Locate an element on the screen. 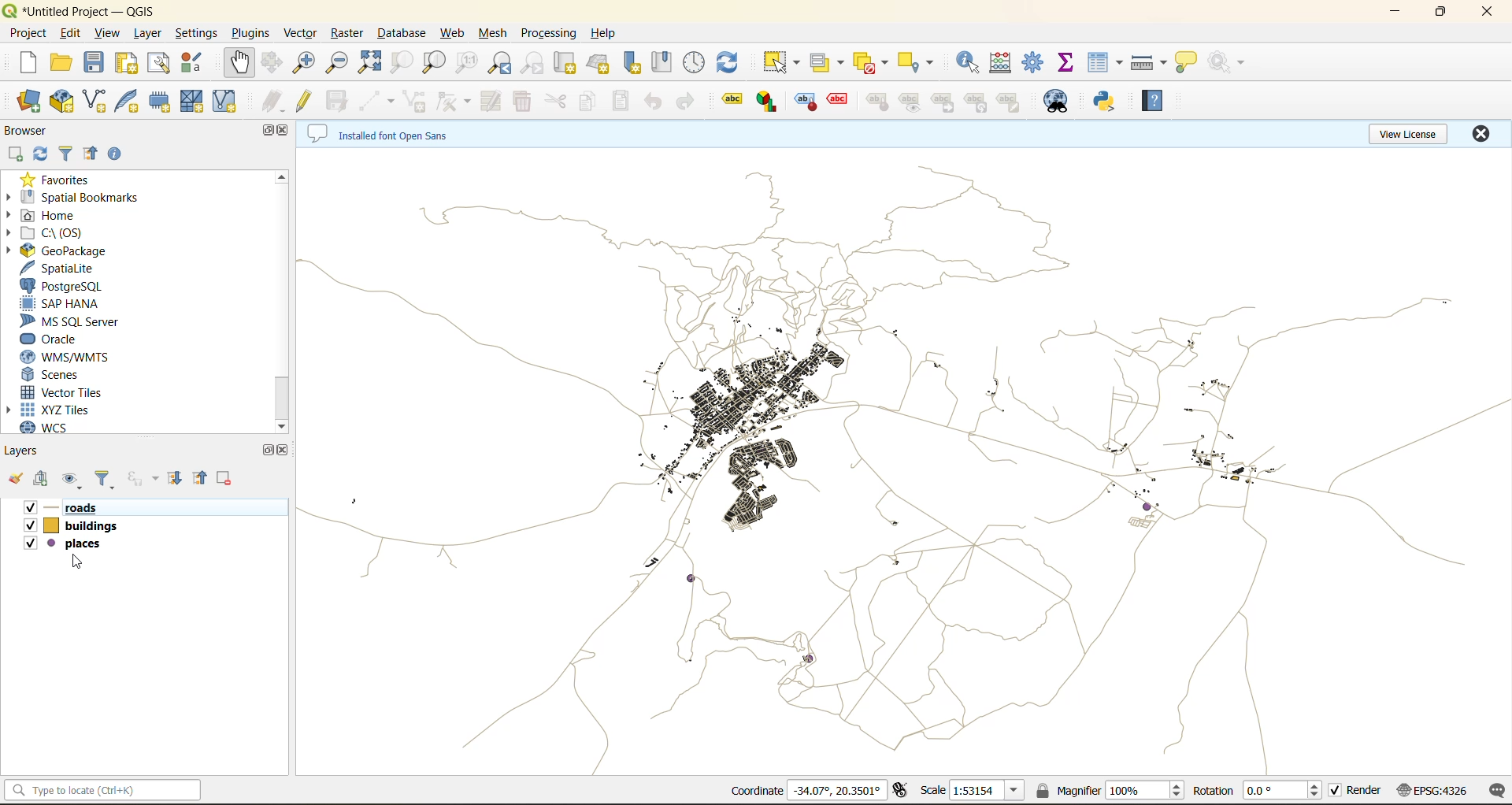 The image size is (1512, 805). zoom full is located at coordinates (369, 65).